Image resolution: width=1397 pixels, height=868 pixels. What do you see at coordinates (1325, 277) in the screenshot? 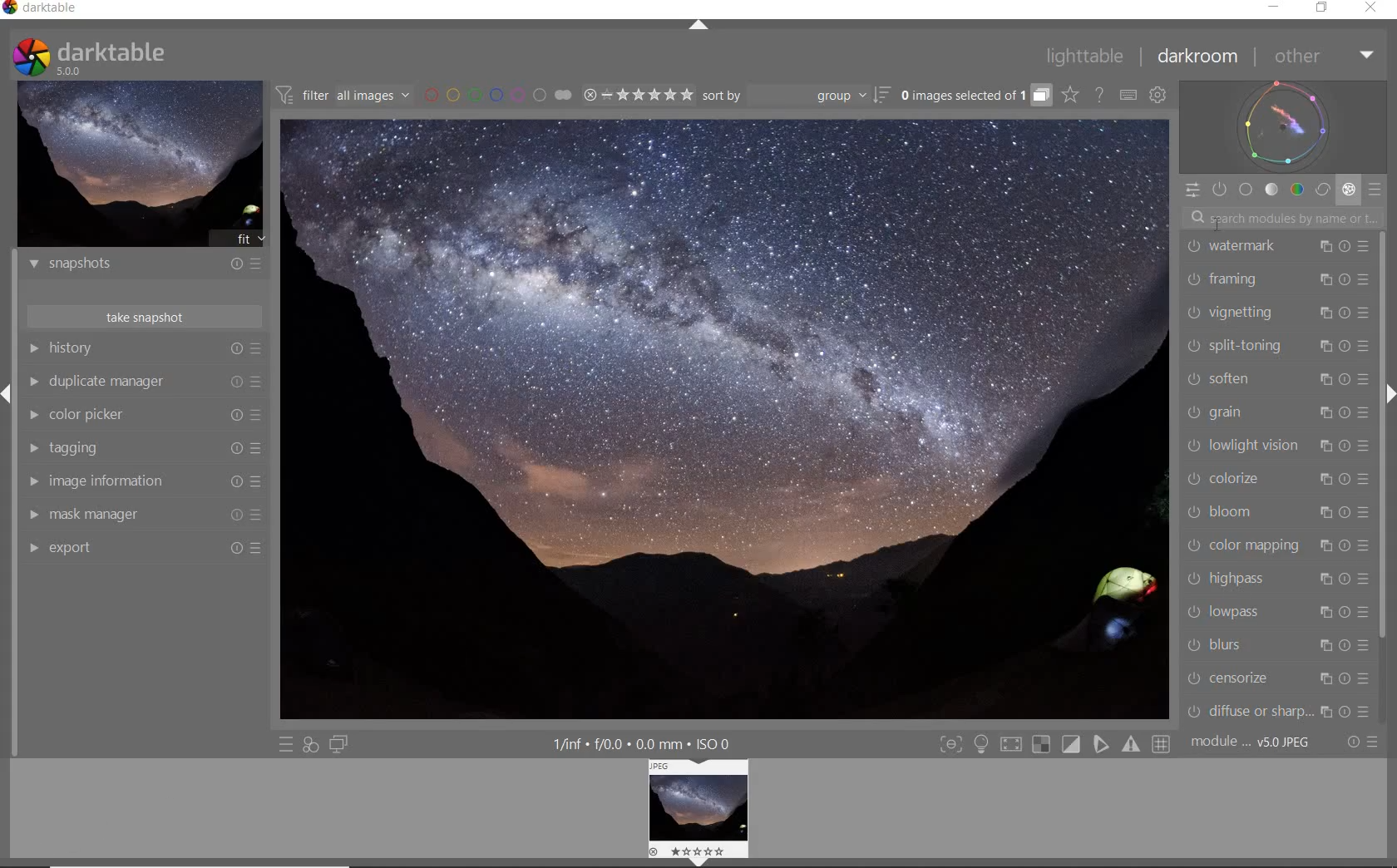
I see `multiple instance actions` at bounding box center [1325, 277].